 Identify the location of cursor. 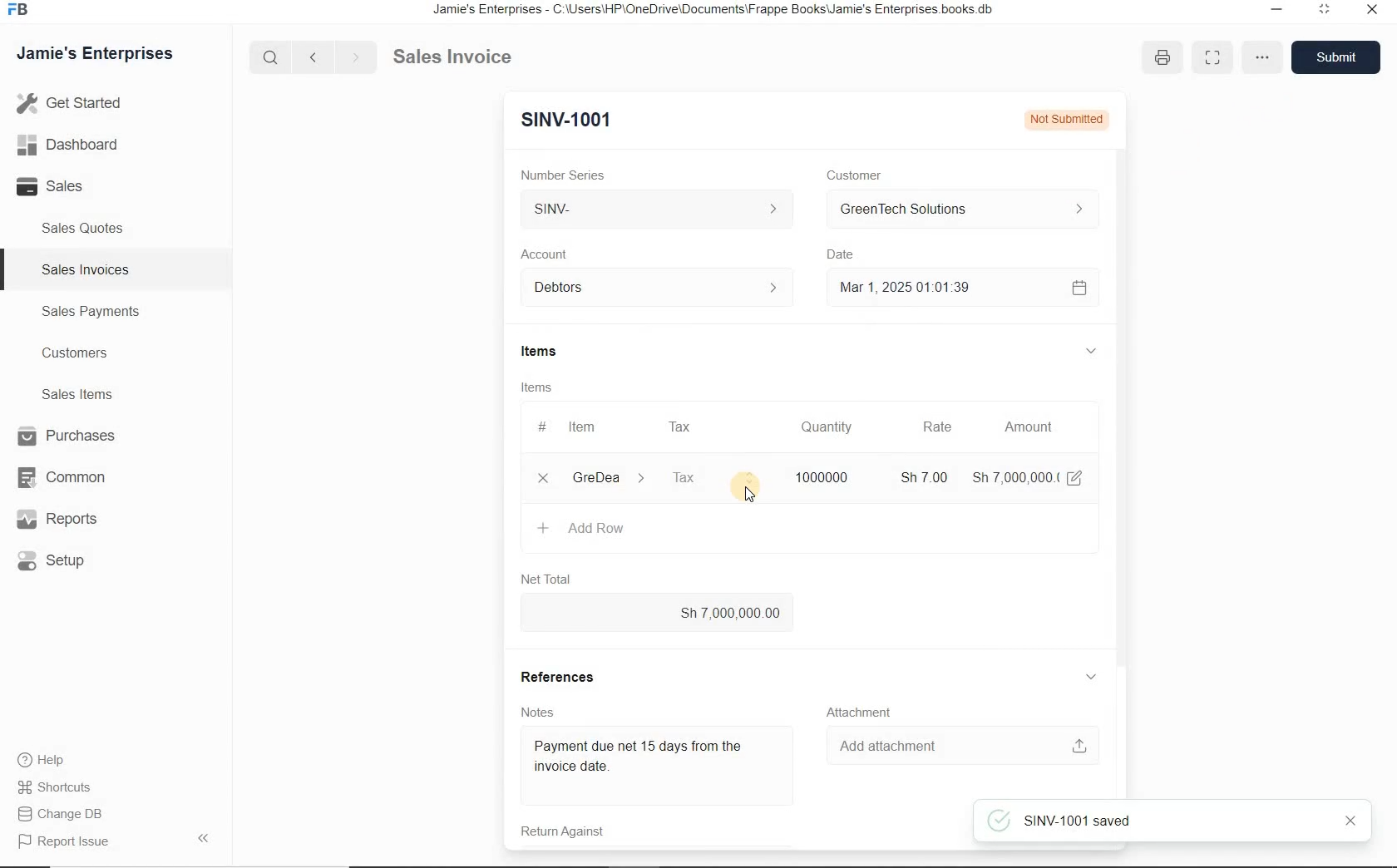
(749, 496).